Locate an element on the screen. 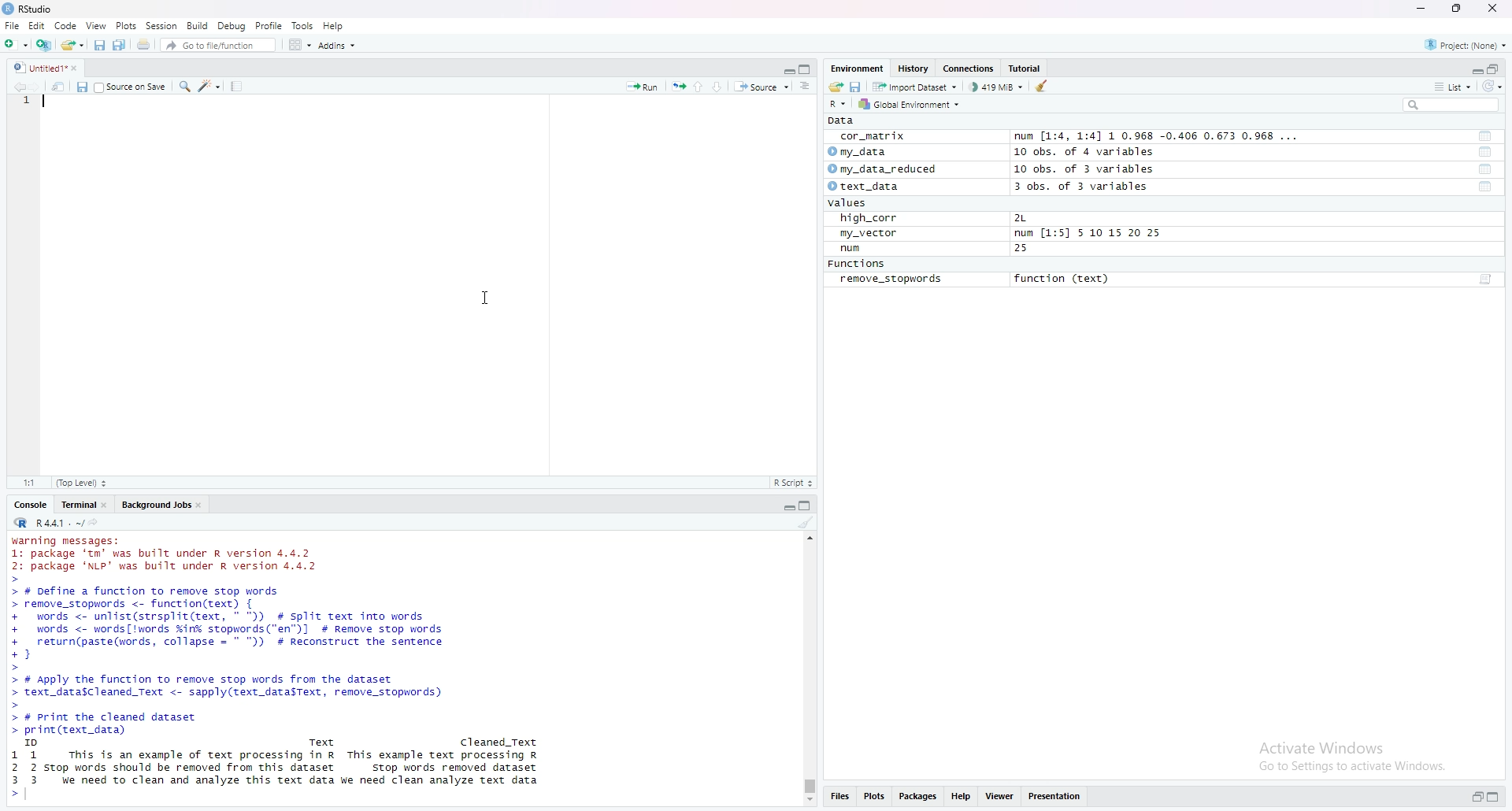 The width and height of the screenshot is (1512, 811). Connections is located at coordinates (969, 69).